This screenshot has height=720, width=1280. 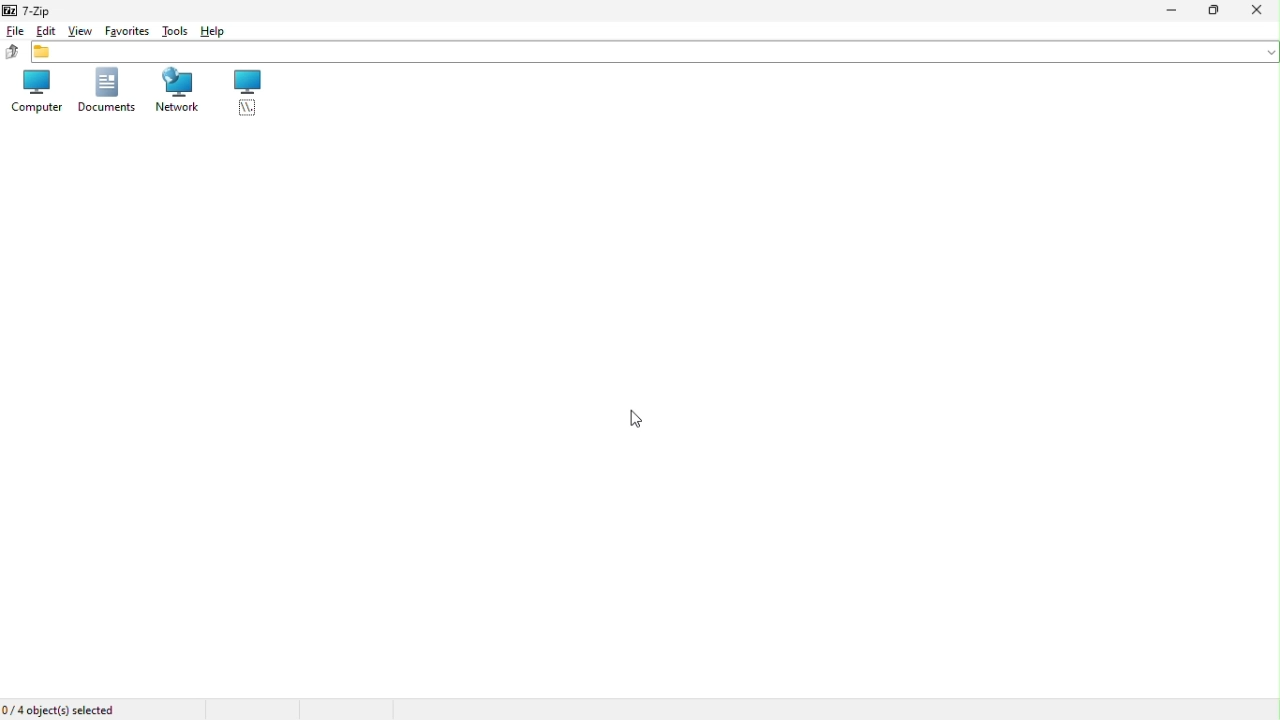 What do you see at coordinates (45, 32) in the screenshot?
I see `Edit` at bounding box center [45, 32].